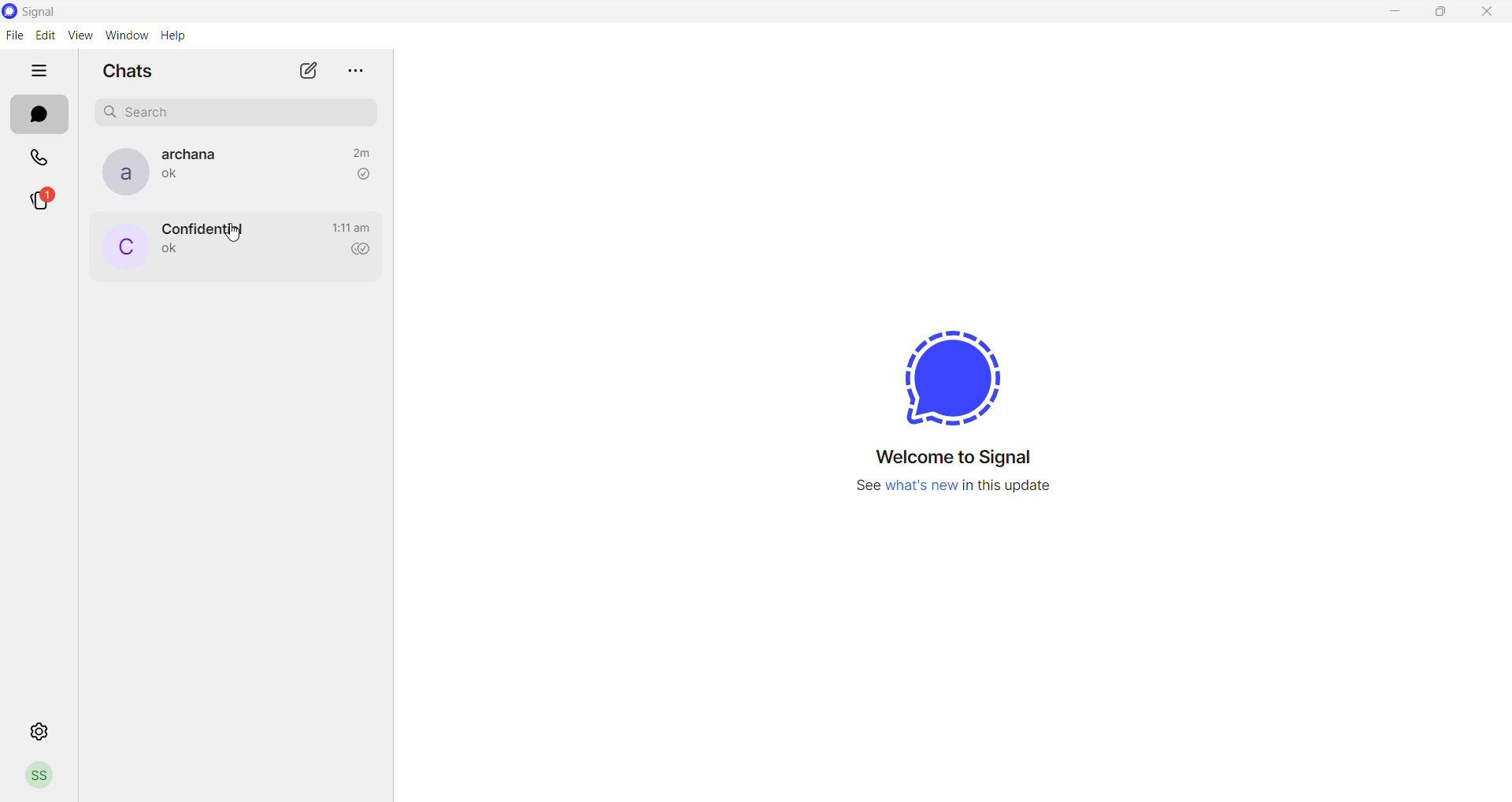 This screenshot has height=802, width=1512. I want to click on contact name, so click(196, 154).